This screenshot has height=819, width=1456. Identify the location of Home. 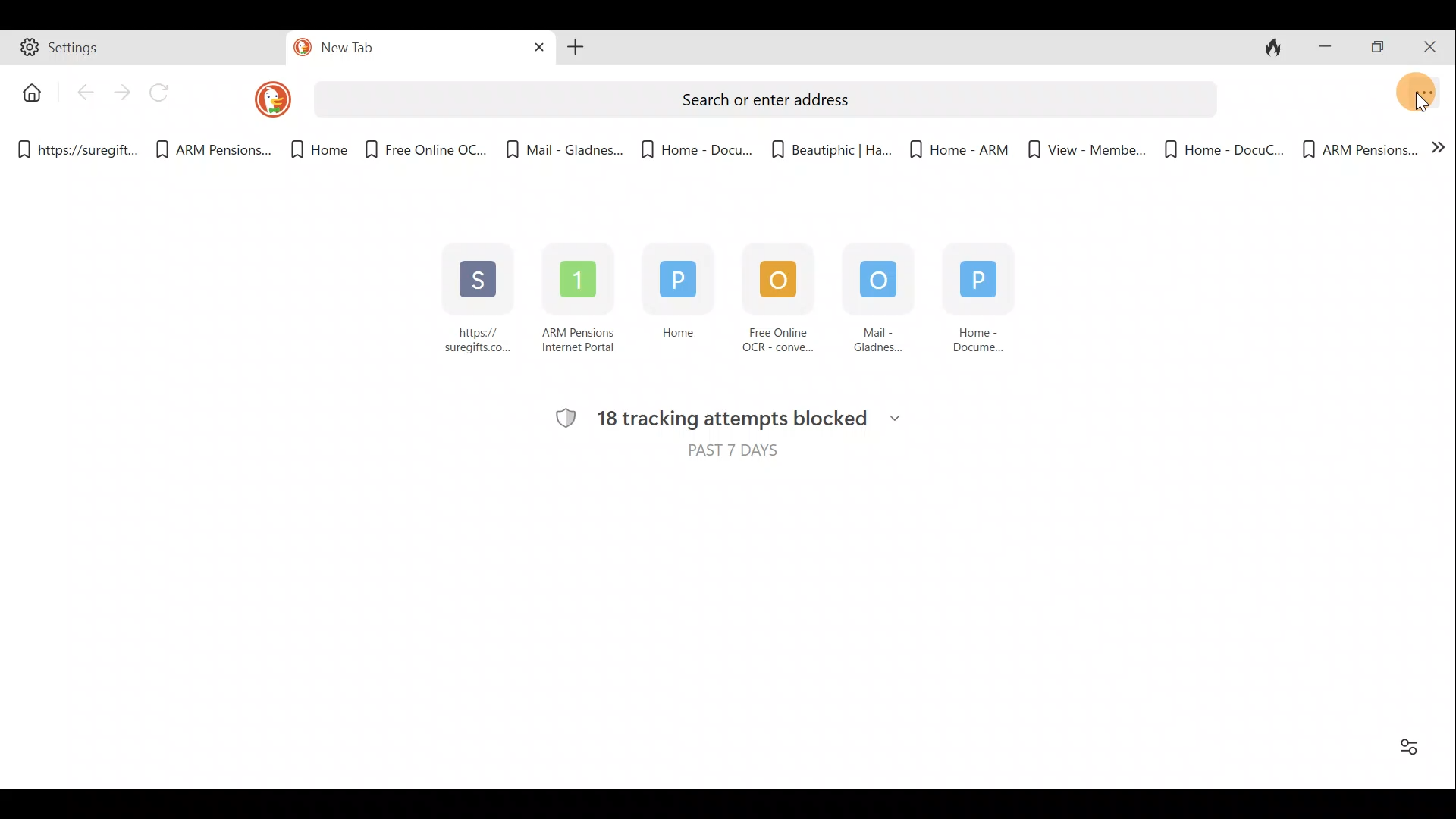
(310, 150).